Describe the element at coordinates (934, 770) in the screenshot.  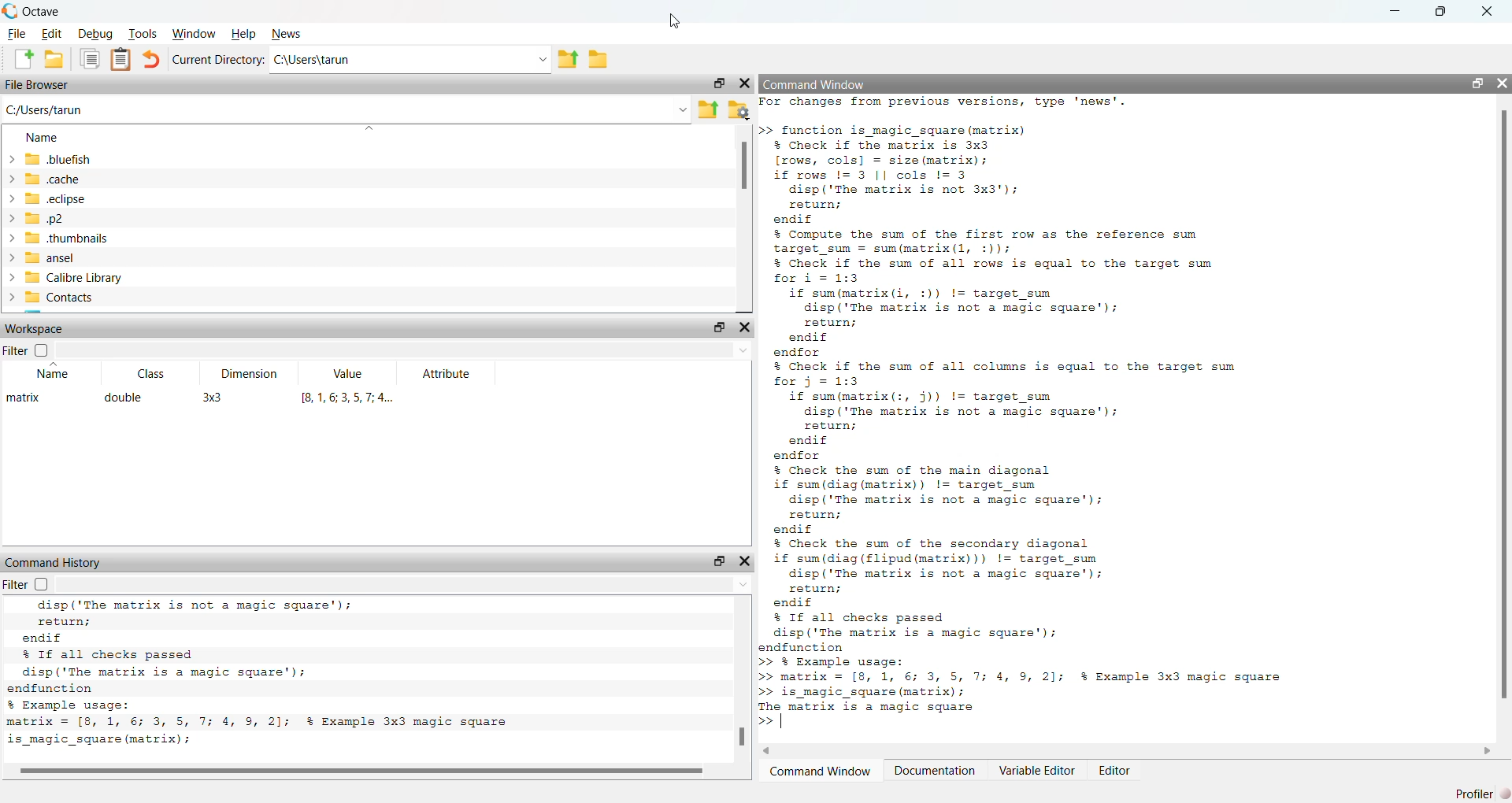
I see `Documentation` at that location.